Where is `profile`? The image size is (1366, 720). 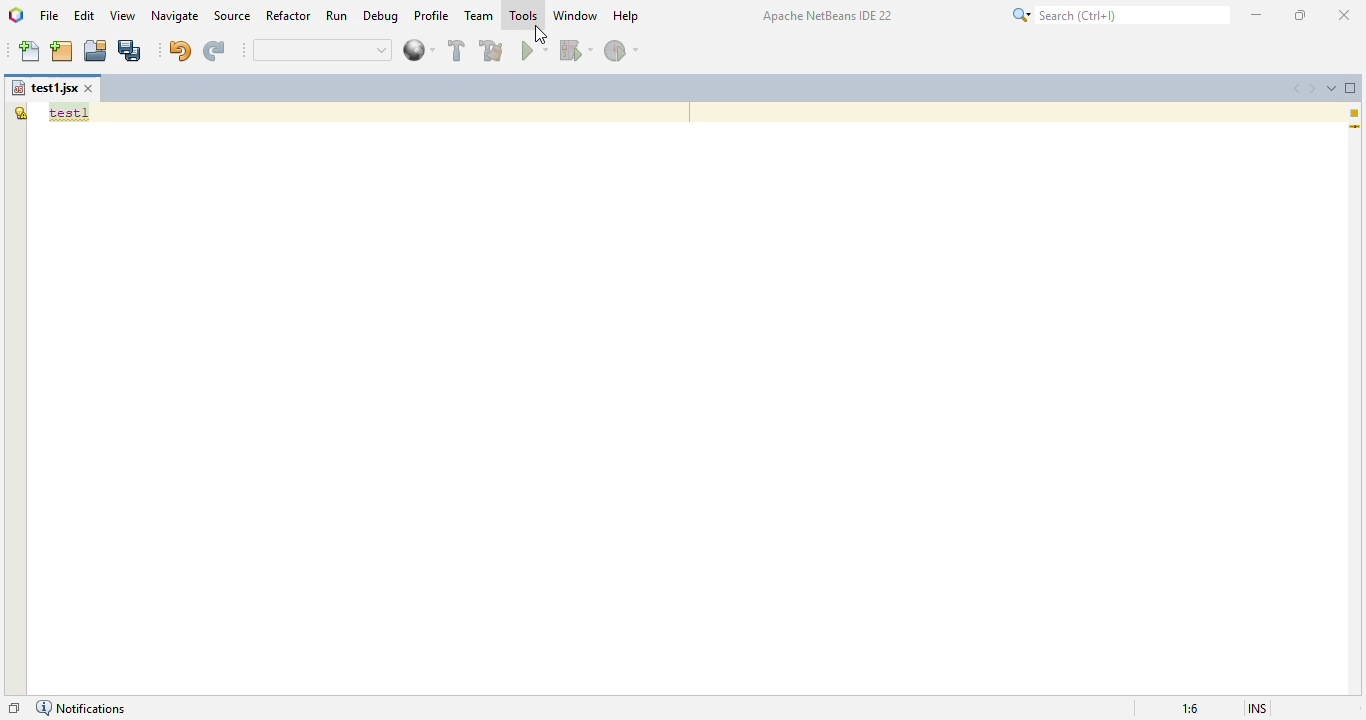
profile is located at coordinates (432, 15).